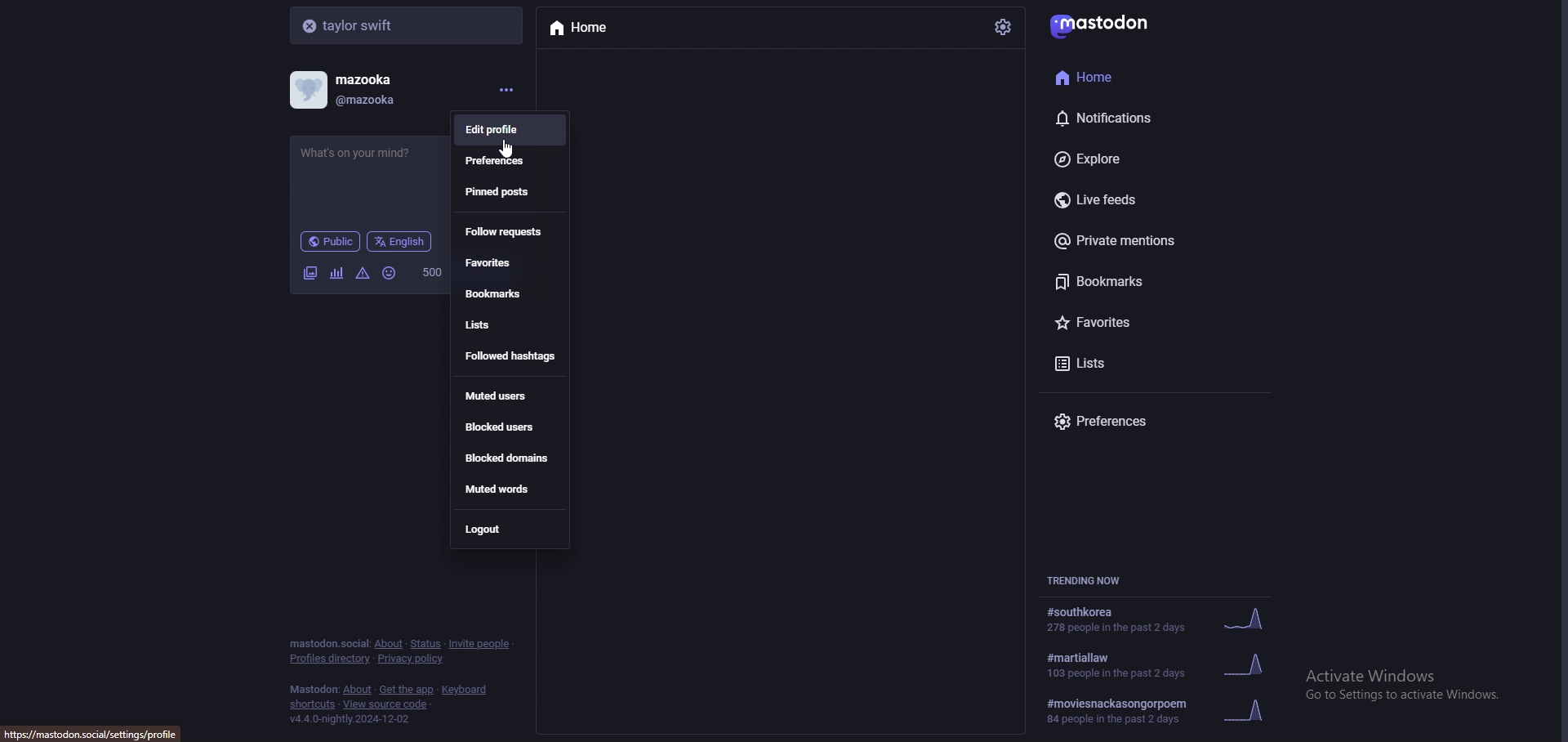 The height and width of the screenshot is (742, 1568). Describe the element at coordinates (1003, 26) in the screenshot. I see `settings` at that location.